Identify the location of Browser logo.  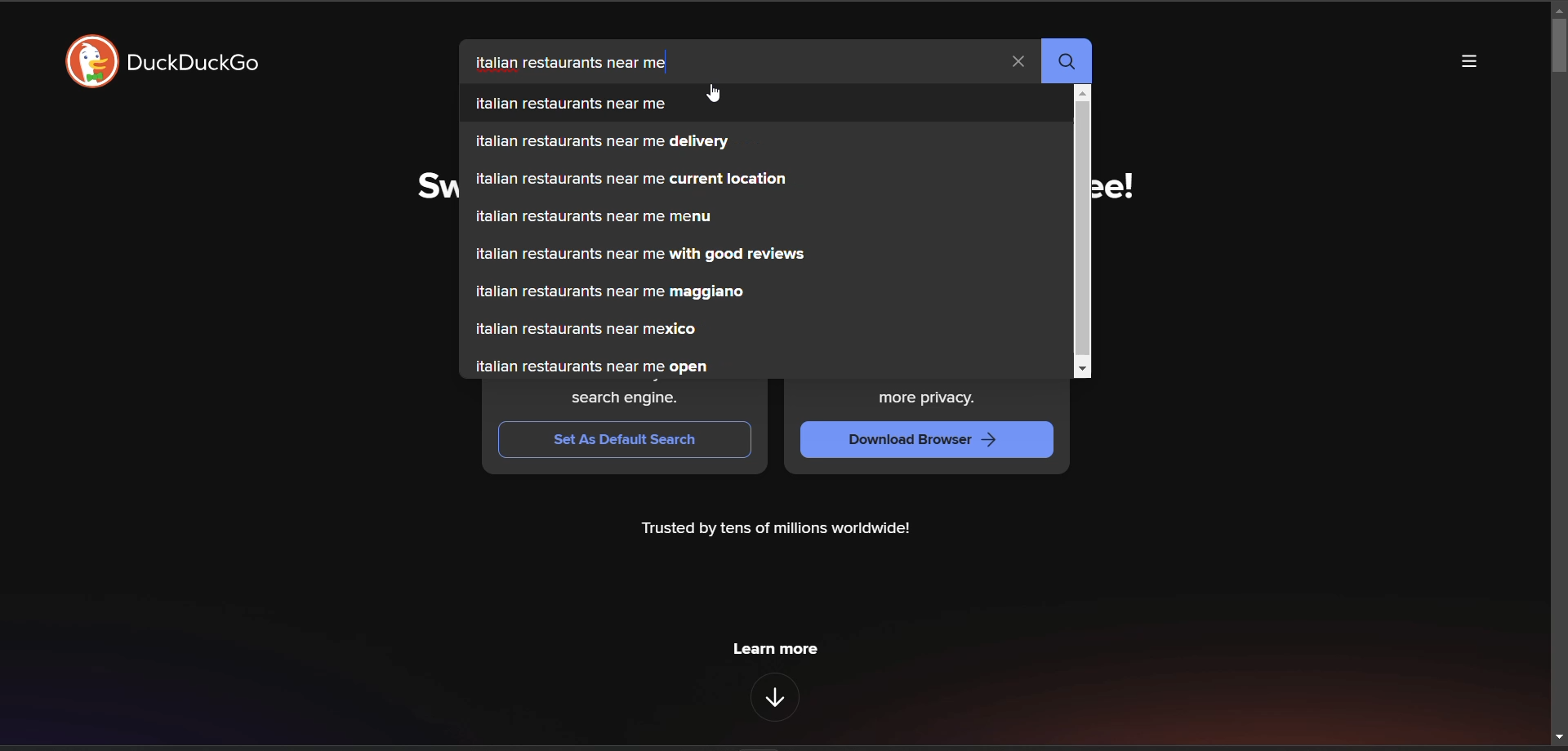
(91, 61).